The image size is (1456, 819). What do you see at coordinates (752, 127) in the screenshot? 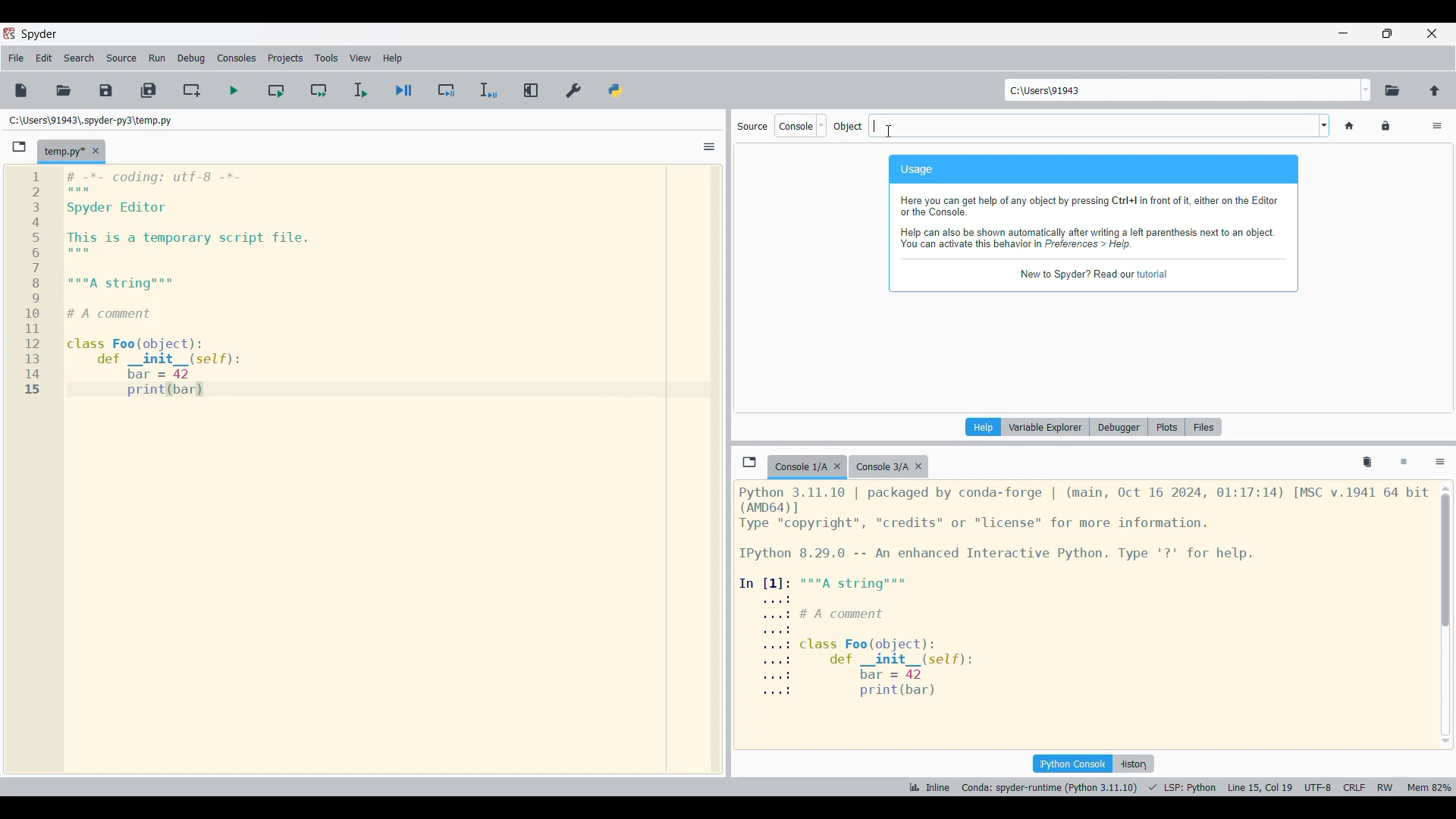
I see `Indicates source options` at bounding box center [752, 127].